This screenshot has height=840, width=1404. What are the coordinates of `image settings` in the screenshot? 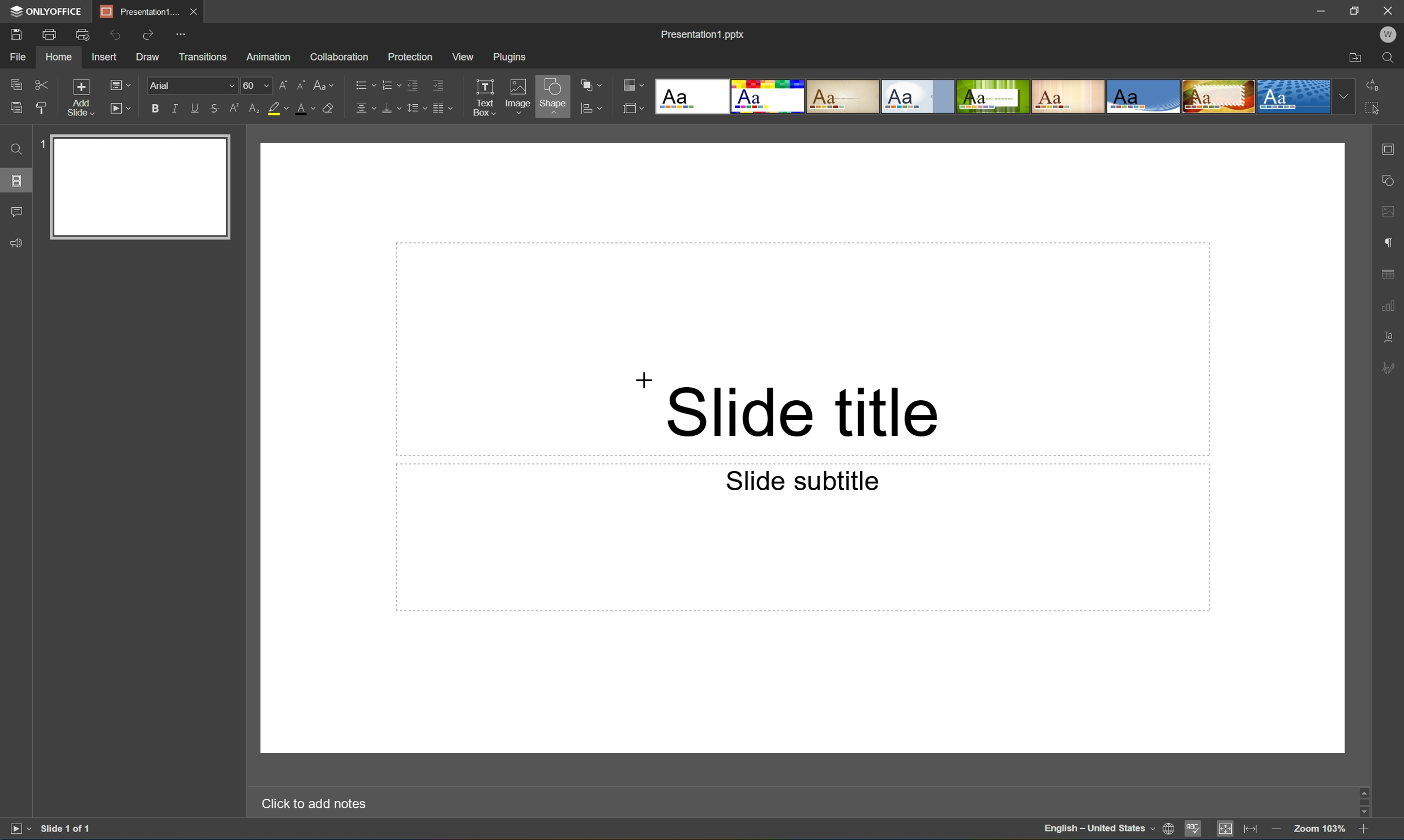 It's located at (1388, 214).